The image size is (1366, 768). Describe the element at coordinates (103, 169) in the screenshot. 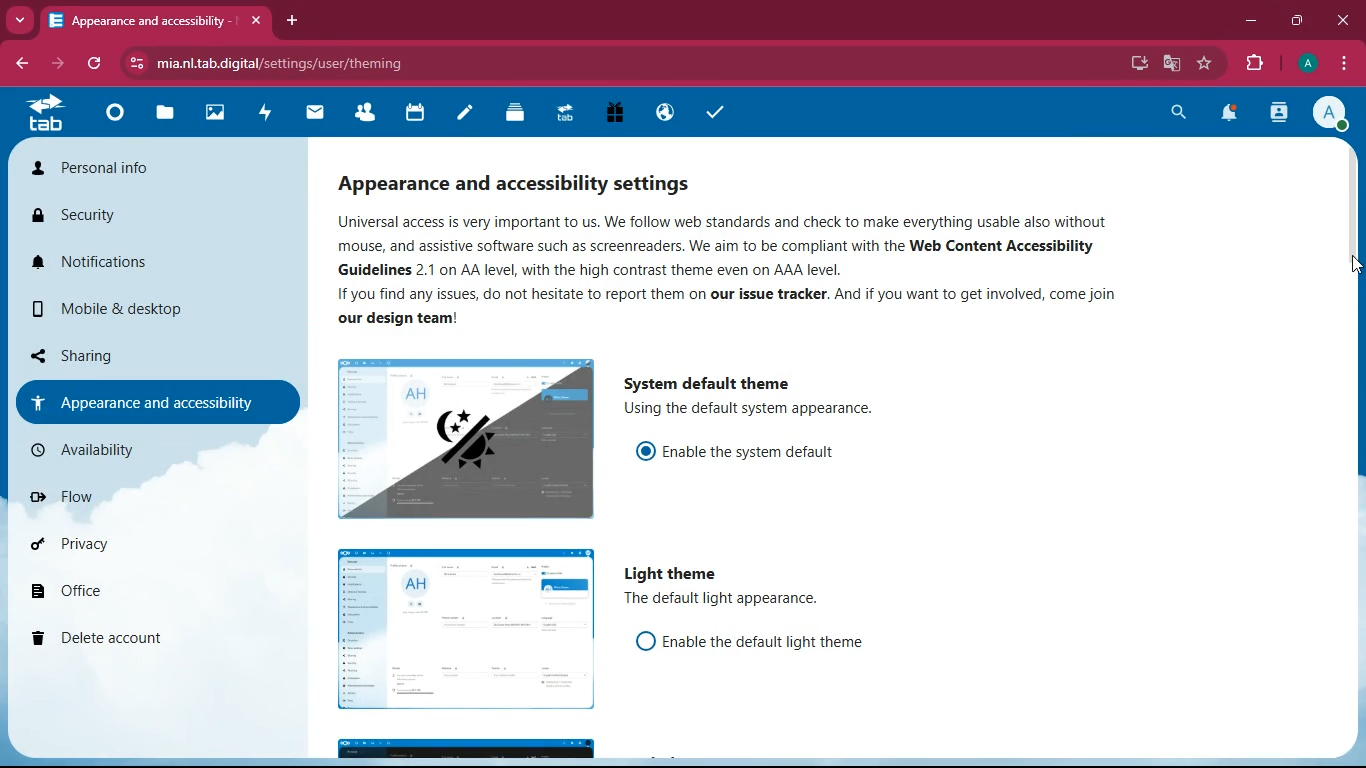

I see `personal info` at that location.